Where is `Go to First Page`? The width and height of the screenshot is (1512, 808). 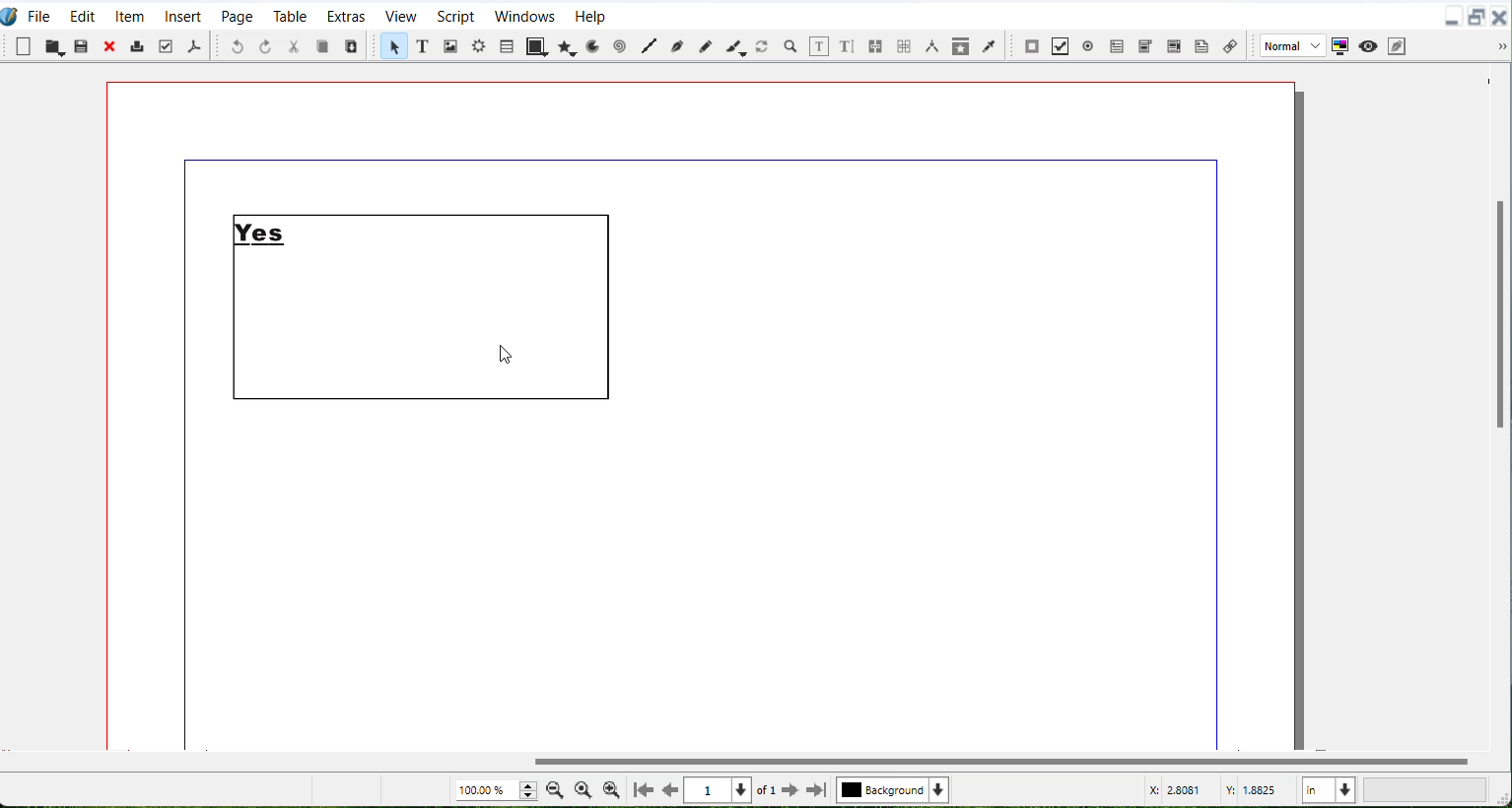
Go to First Page is located at coordinates (644, 789).